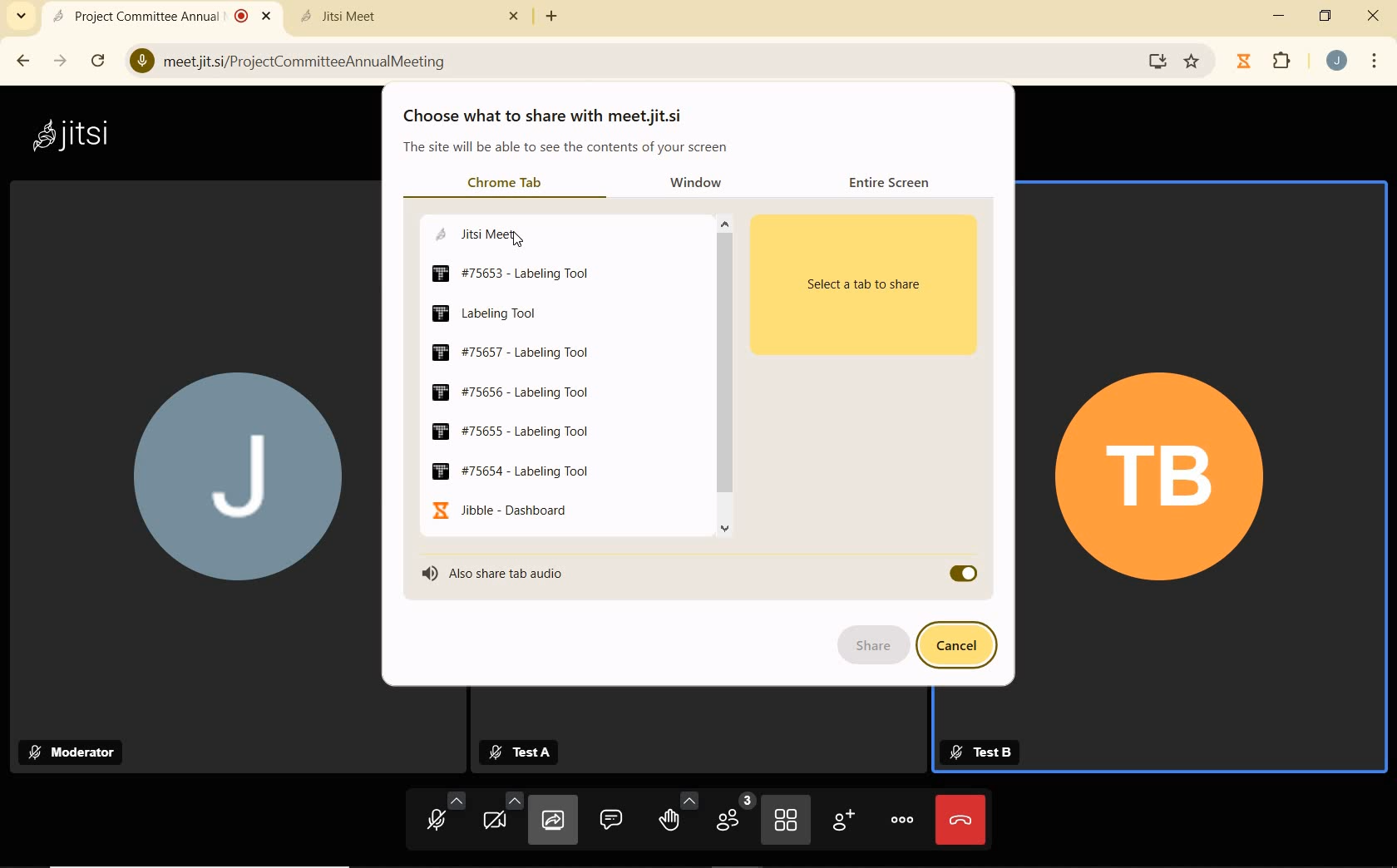 This screenshot has width=1397, height=868. Describe the element at coordinates (498, 510) in the screenshot. I see `Jibble - Dashboard` at that location.